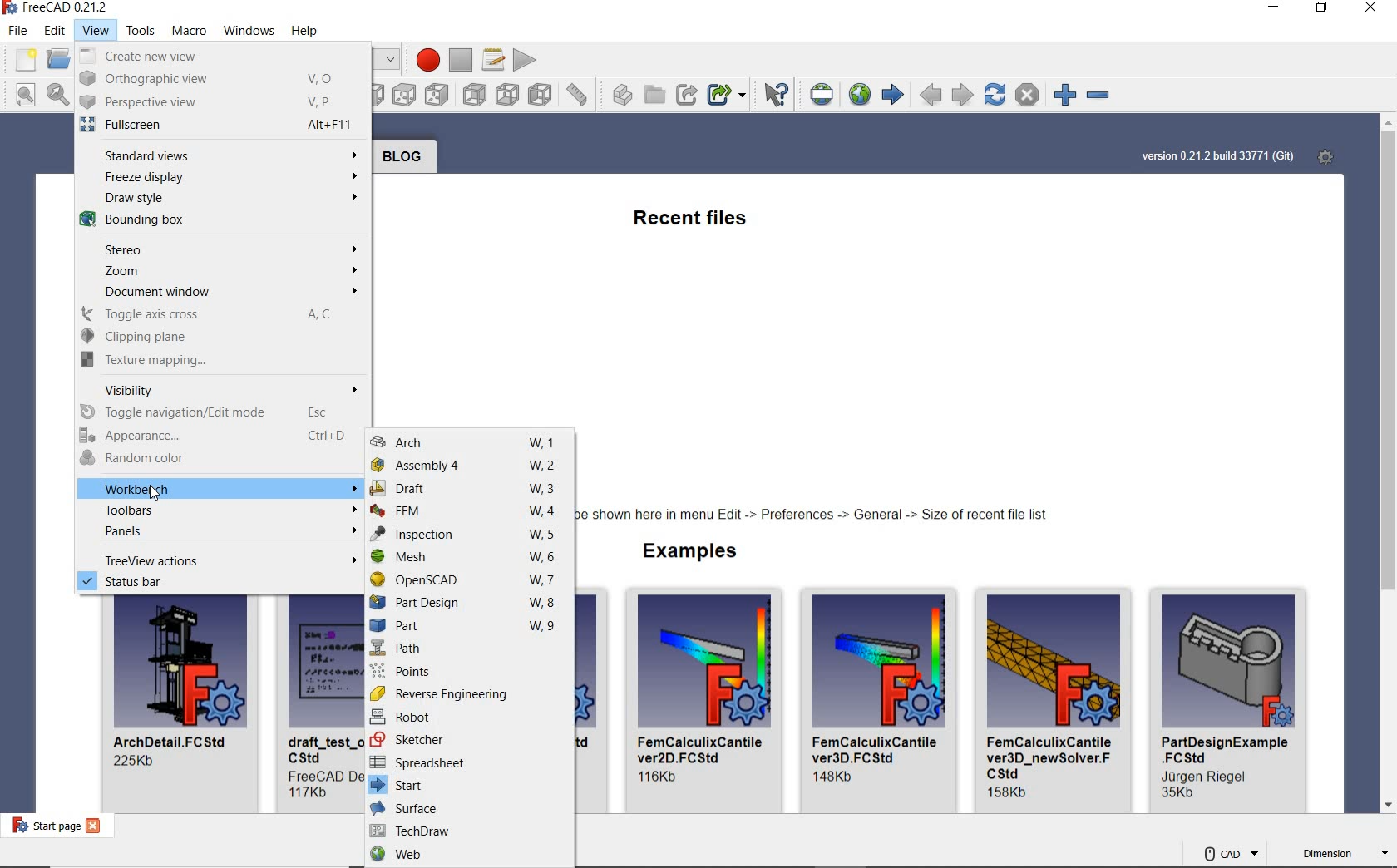 Image resolution: width=1397 pixels, height=868 pixels. Describe the element at coordinates (467, 762) in the screenshot. I see `spreadsheet` at that location.